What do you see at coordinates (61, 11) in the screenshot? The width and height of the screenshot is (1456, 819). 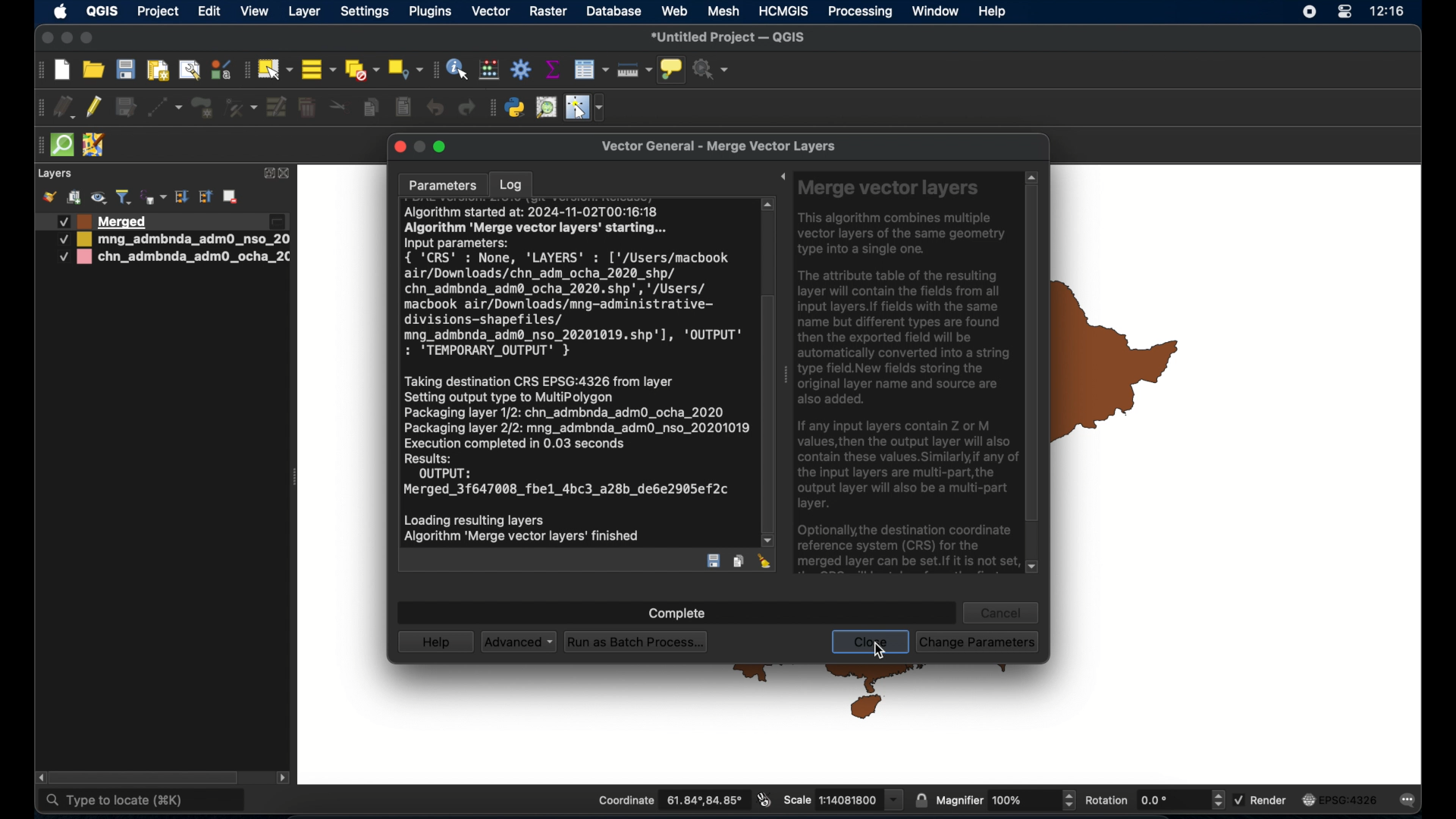 I see `apple icon` at bounding box center [61, 11].